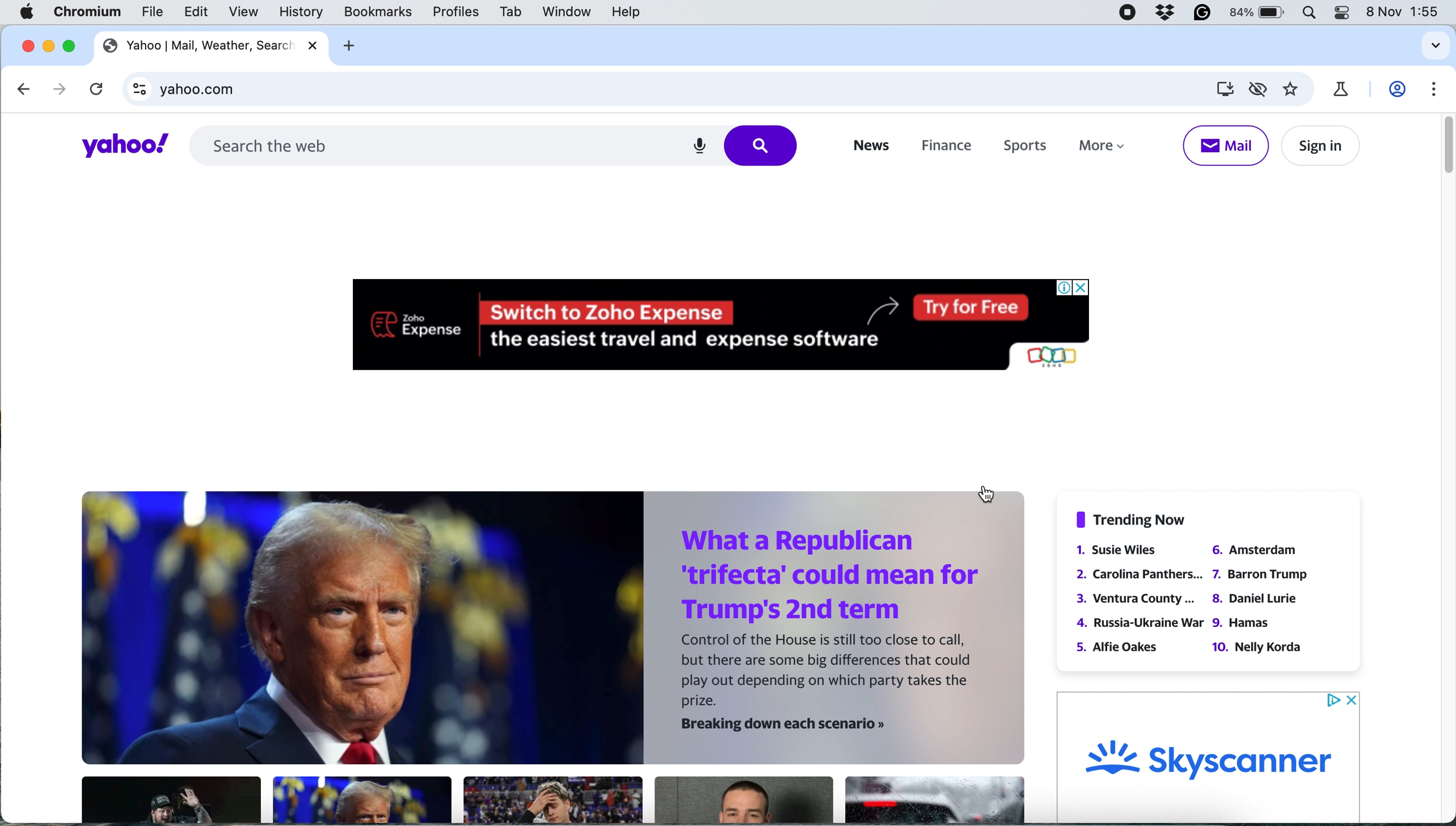  Describe the element at coordinates (1436, 47) in the screenshot. I see `search tabs` at that location.